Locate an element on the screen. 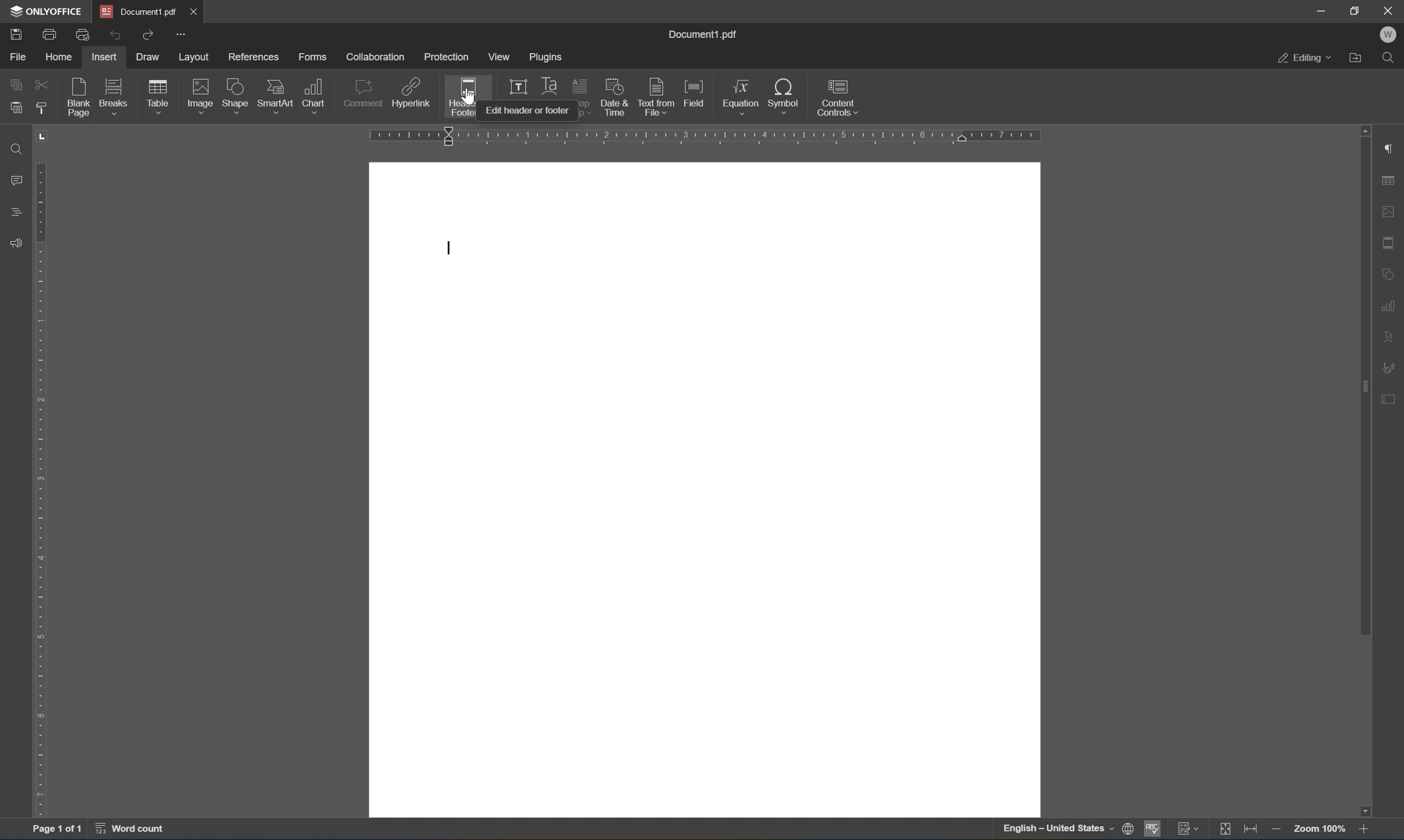 The image size is (1404, 840). table is located at coordinates (161, 98).